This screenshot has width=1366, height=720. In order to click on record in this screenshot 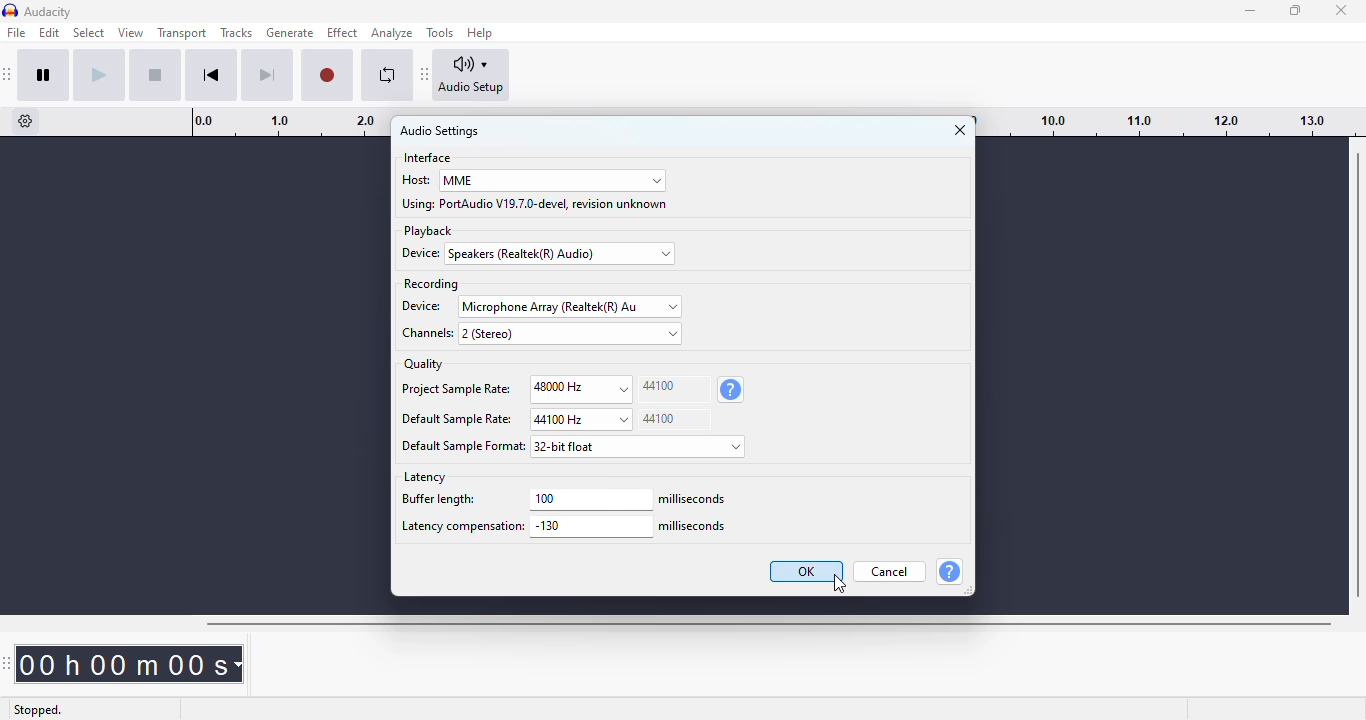, I will do `click(327, 76)`.